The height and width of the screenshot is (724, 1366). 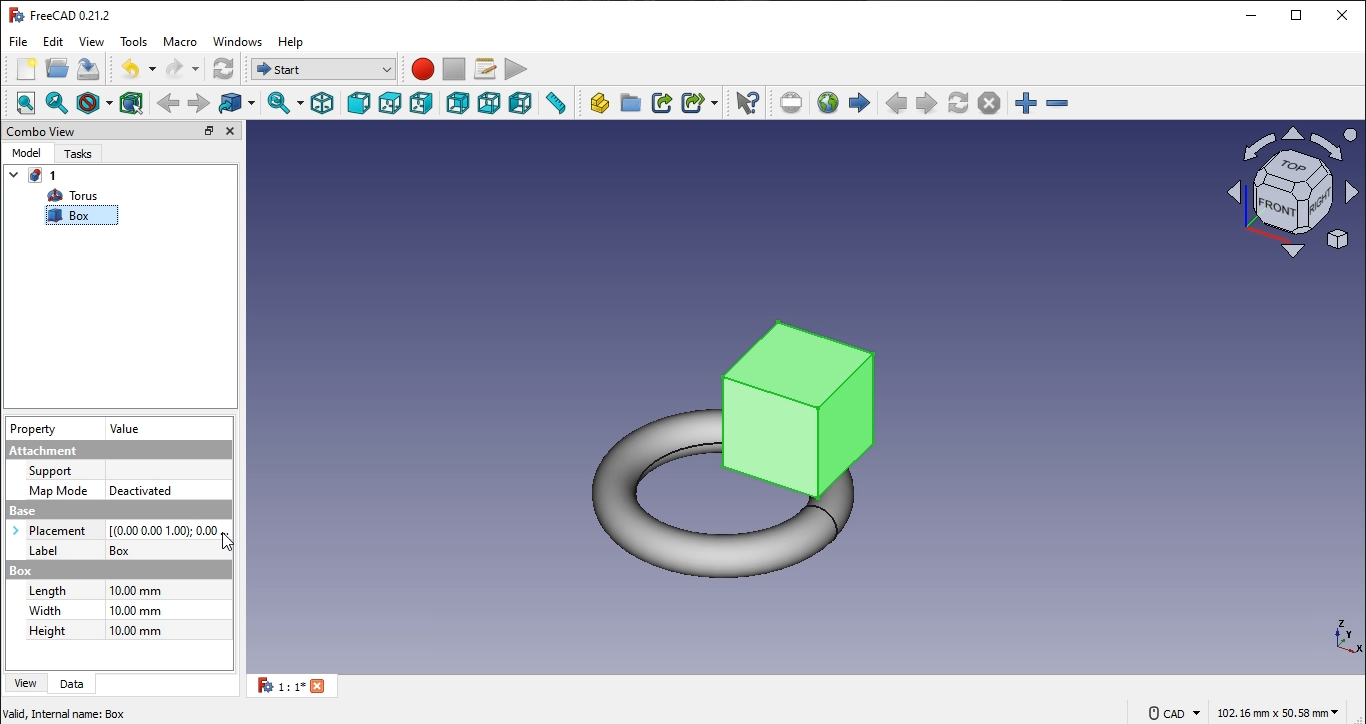 What do you see at coordinates (97, 102) in the screenshot?
I see `draw style` at bounding box center [97, 102].